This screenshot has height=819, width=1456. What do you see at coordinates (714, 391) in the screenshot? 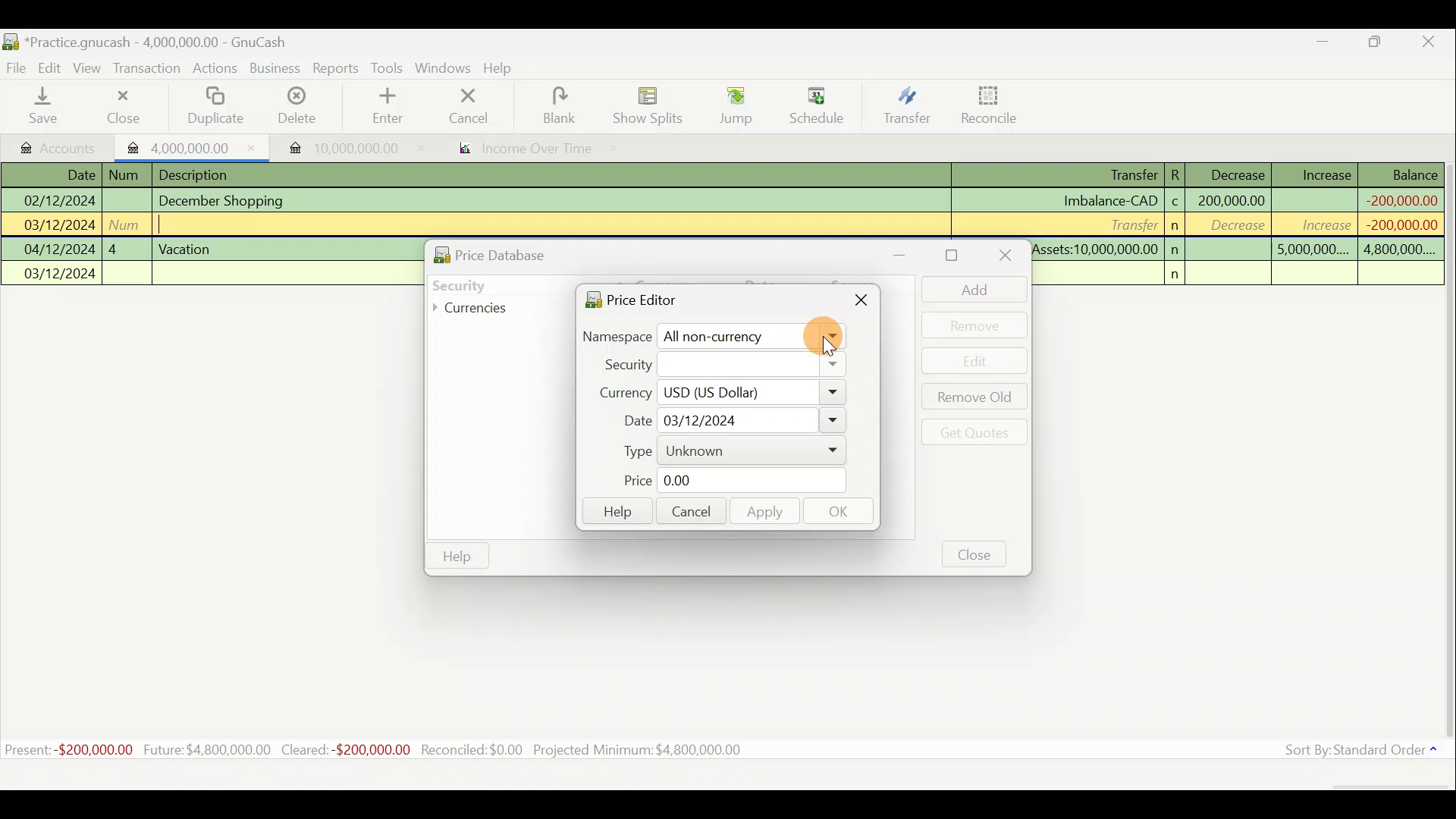
I see `Currency` at bounding box center [714, 391].